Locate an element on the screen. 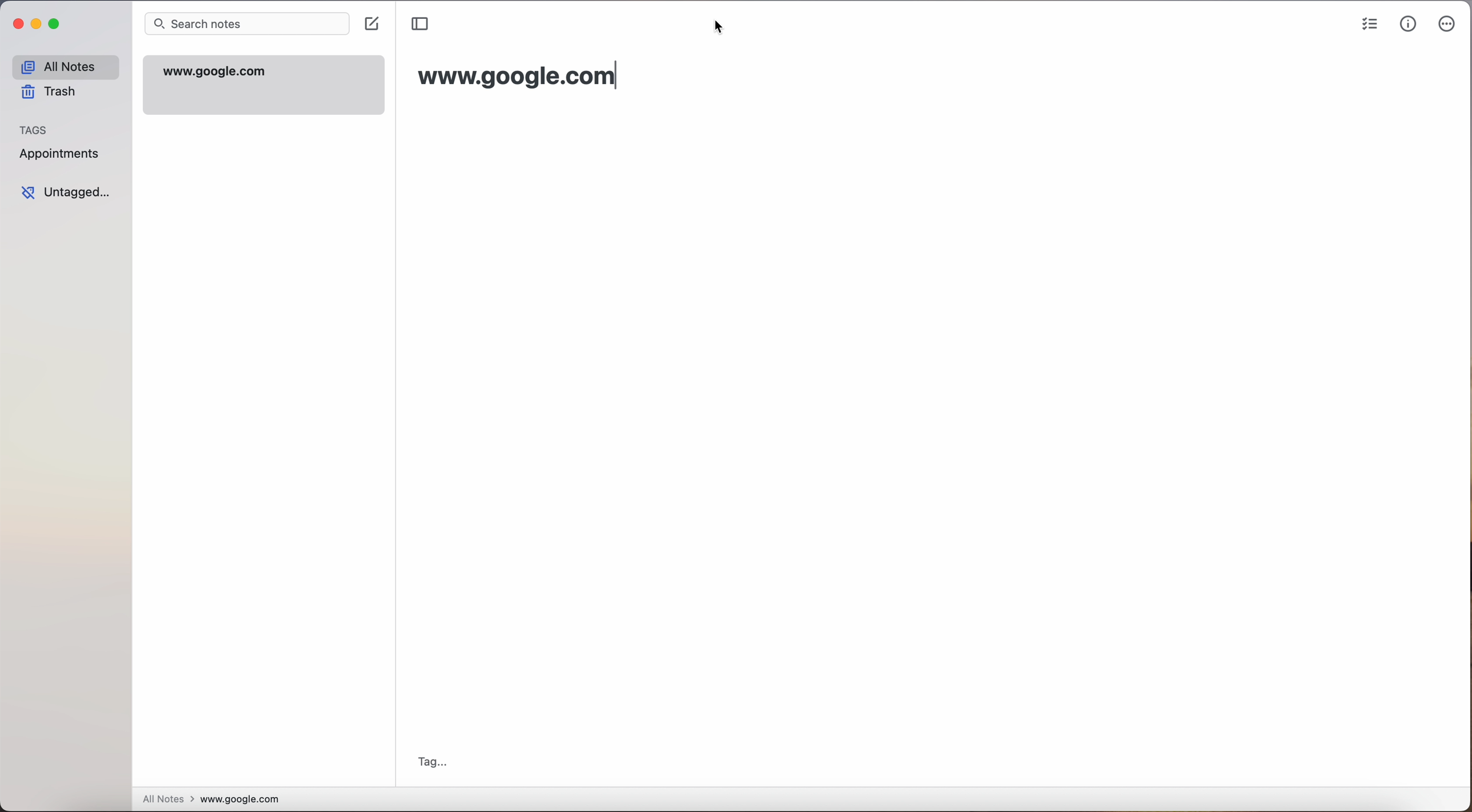 This screenshot has height=812, width=1472. untagged is located at coordinates (69, 195).